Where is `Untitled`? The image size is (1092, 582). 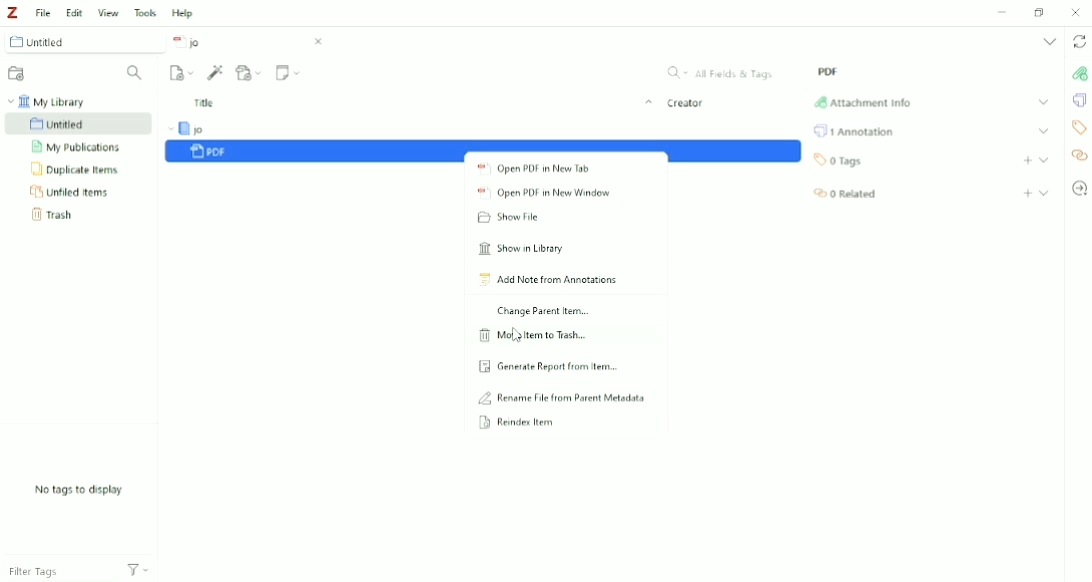
Untitled is located at coordinates (77, 123).